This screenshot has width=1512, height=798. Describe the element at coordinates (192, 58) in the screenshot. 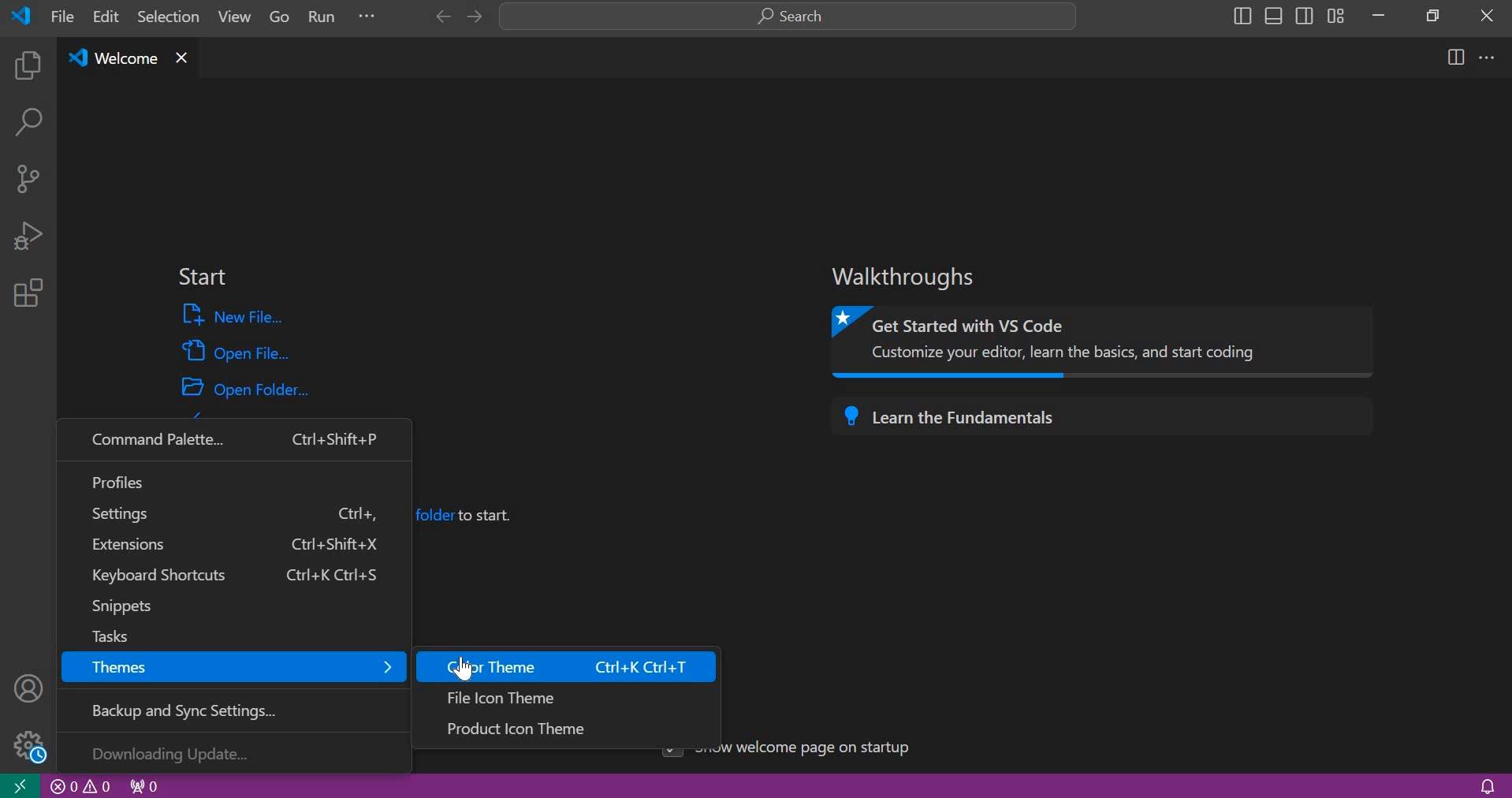

I see `close tab` at that location.